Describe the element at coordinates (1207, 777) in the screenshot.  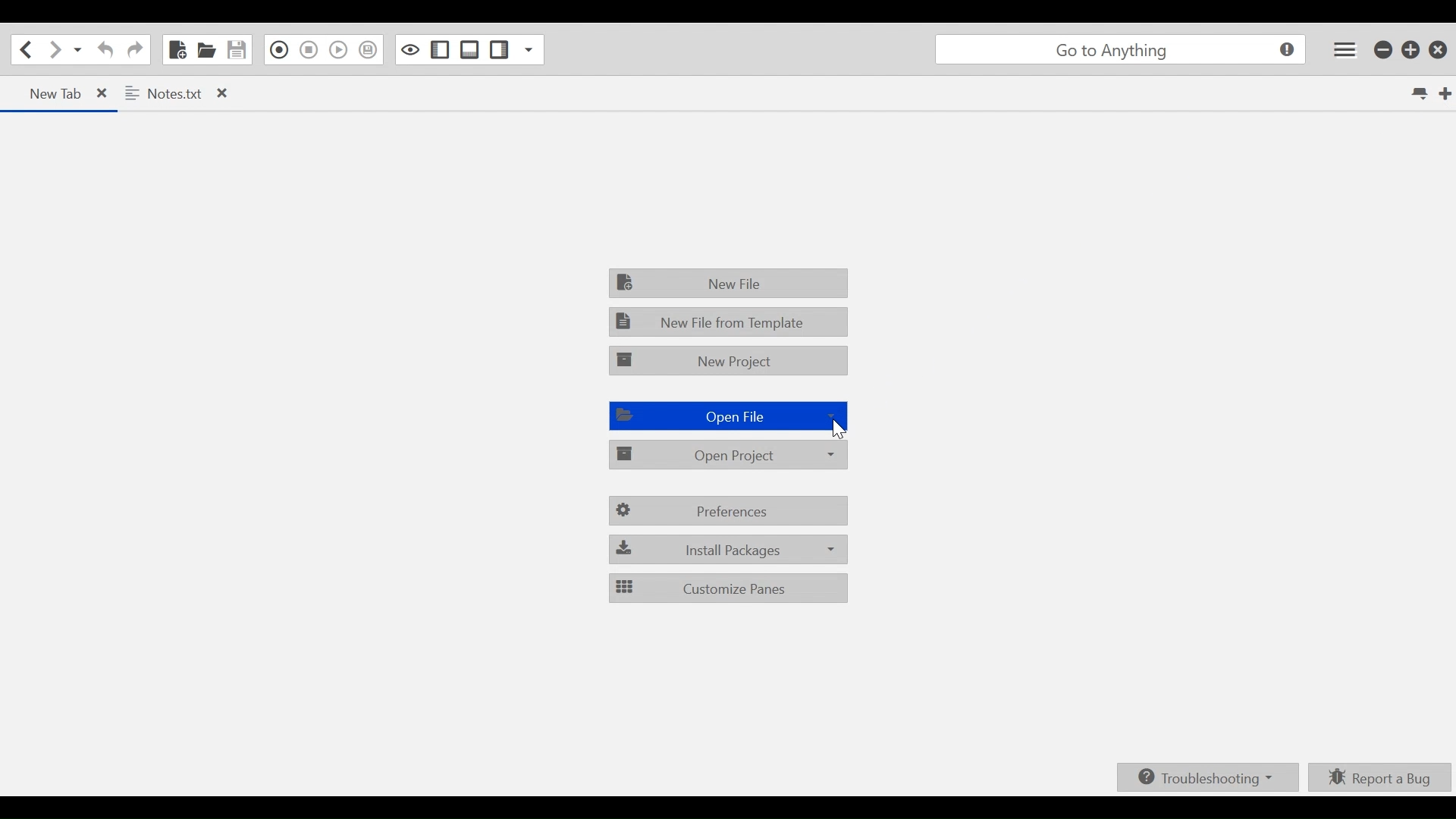
I see `Troubleshooting` at that location.